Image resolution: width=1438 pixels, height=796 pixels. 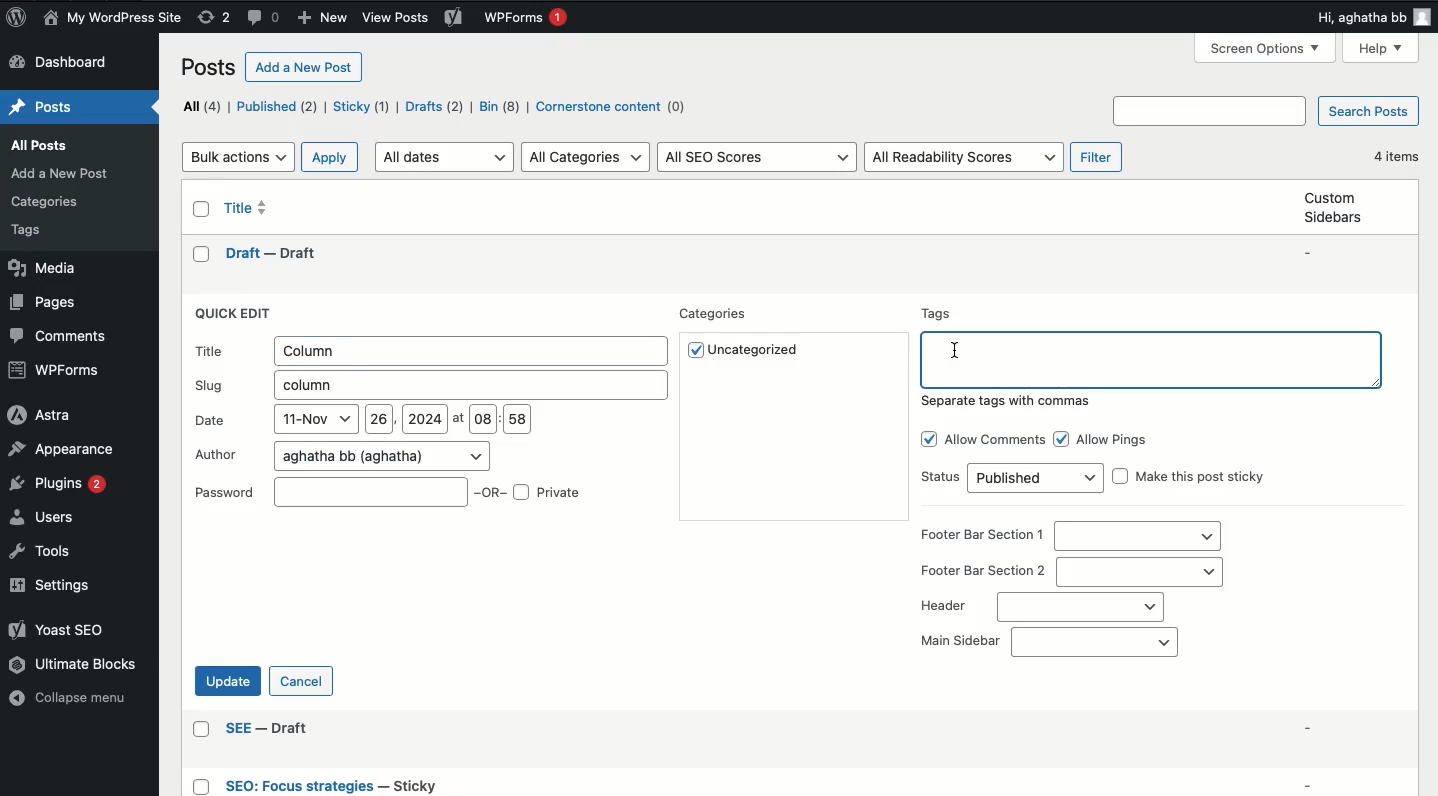 I want to click on Allow pings, so click(x=1103, y=442).